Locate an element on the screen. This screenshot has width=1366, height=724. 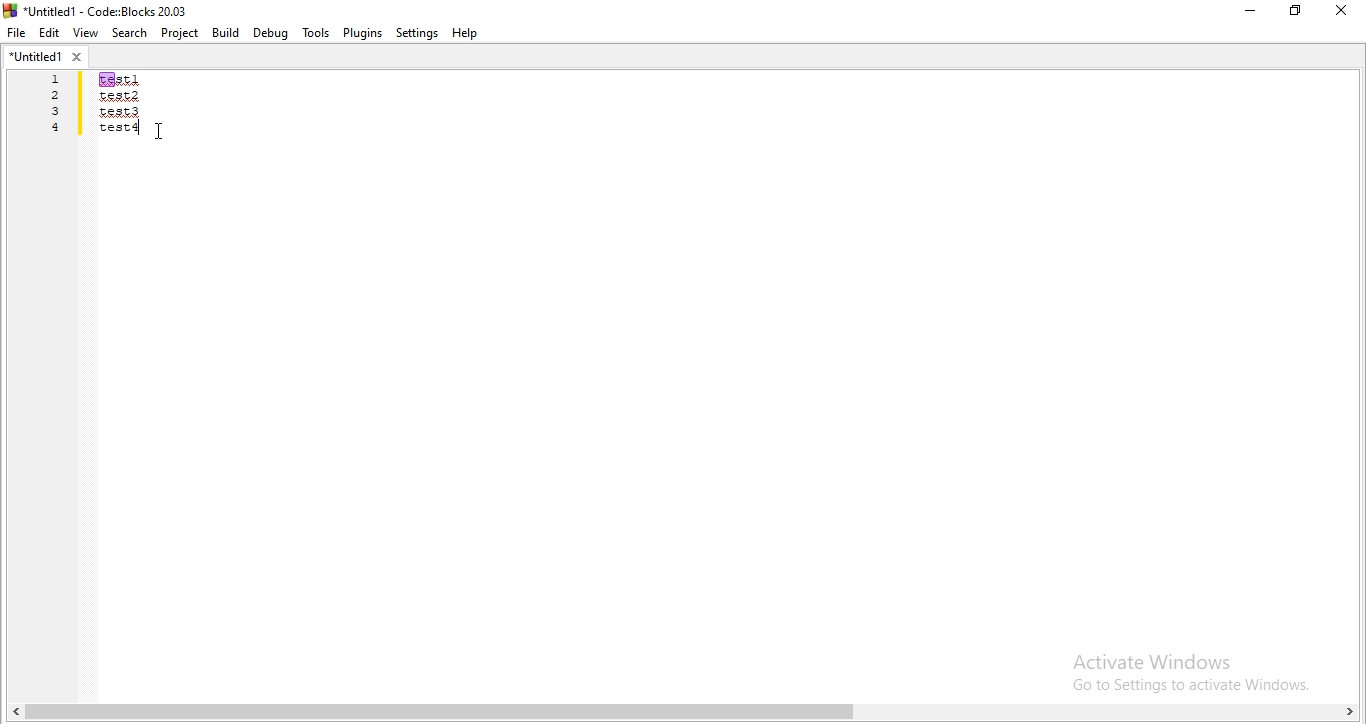
Build  is located at coordinates (226, 32).